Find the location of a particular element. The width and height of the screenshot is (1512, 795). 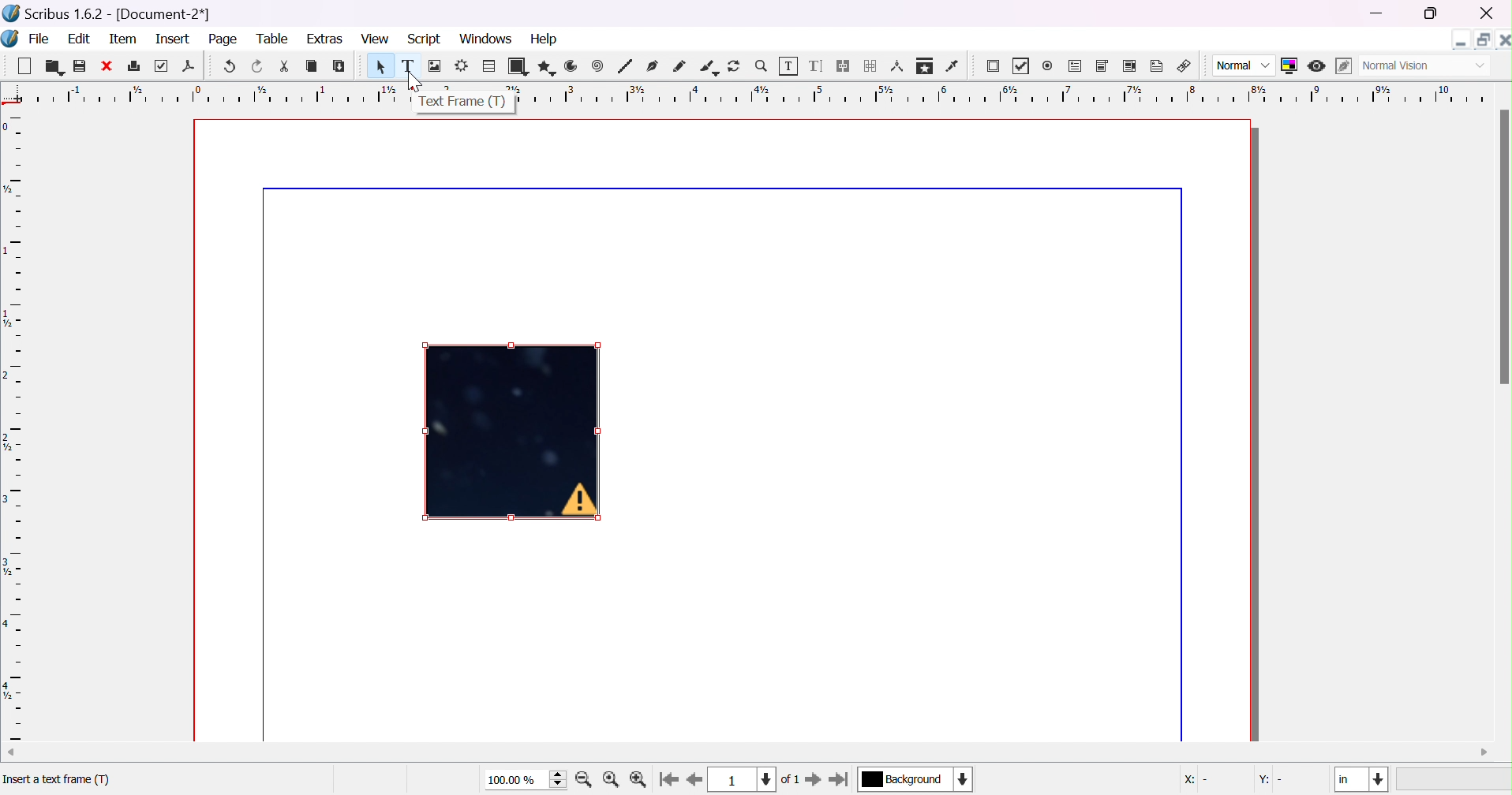

minimize is located at coordinates (1380, 14).